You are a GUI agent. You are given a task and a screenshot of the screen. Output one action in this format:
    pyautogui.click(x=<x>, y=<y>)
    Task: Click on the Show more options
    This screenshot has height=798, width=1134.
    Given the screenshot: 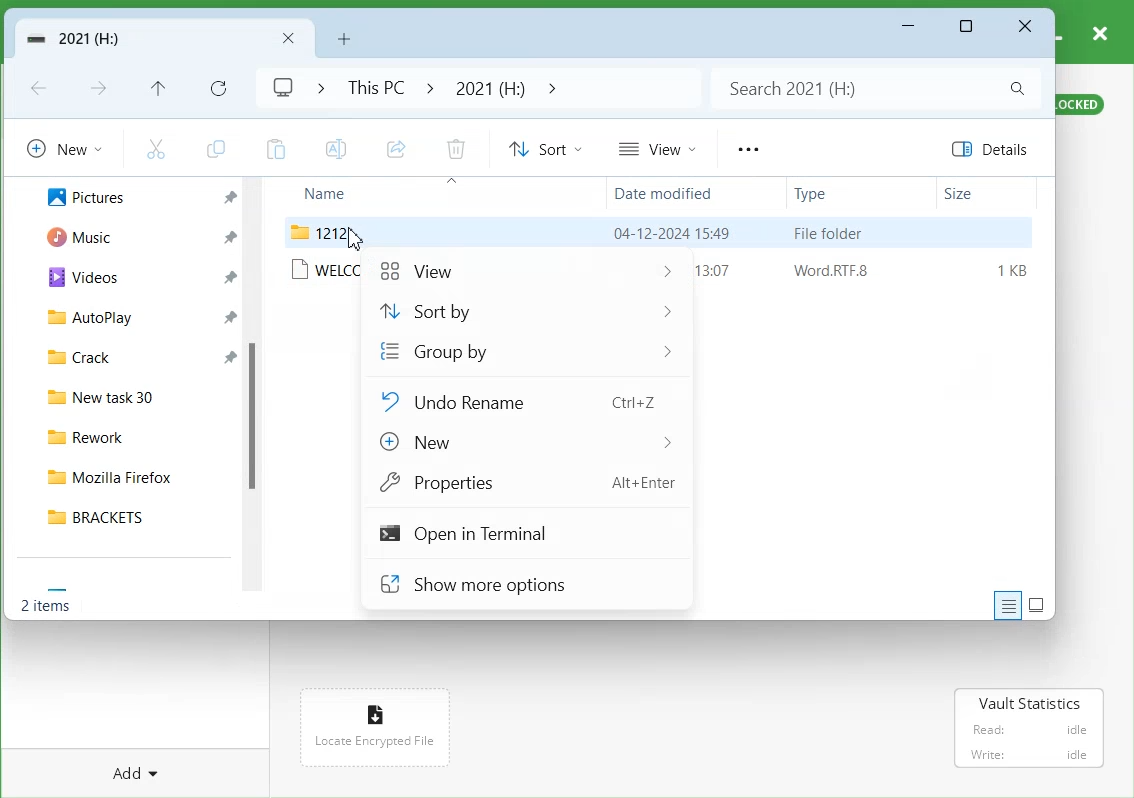 What is the action you would take?
    pyautogui.click(x=526, y=584)
    